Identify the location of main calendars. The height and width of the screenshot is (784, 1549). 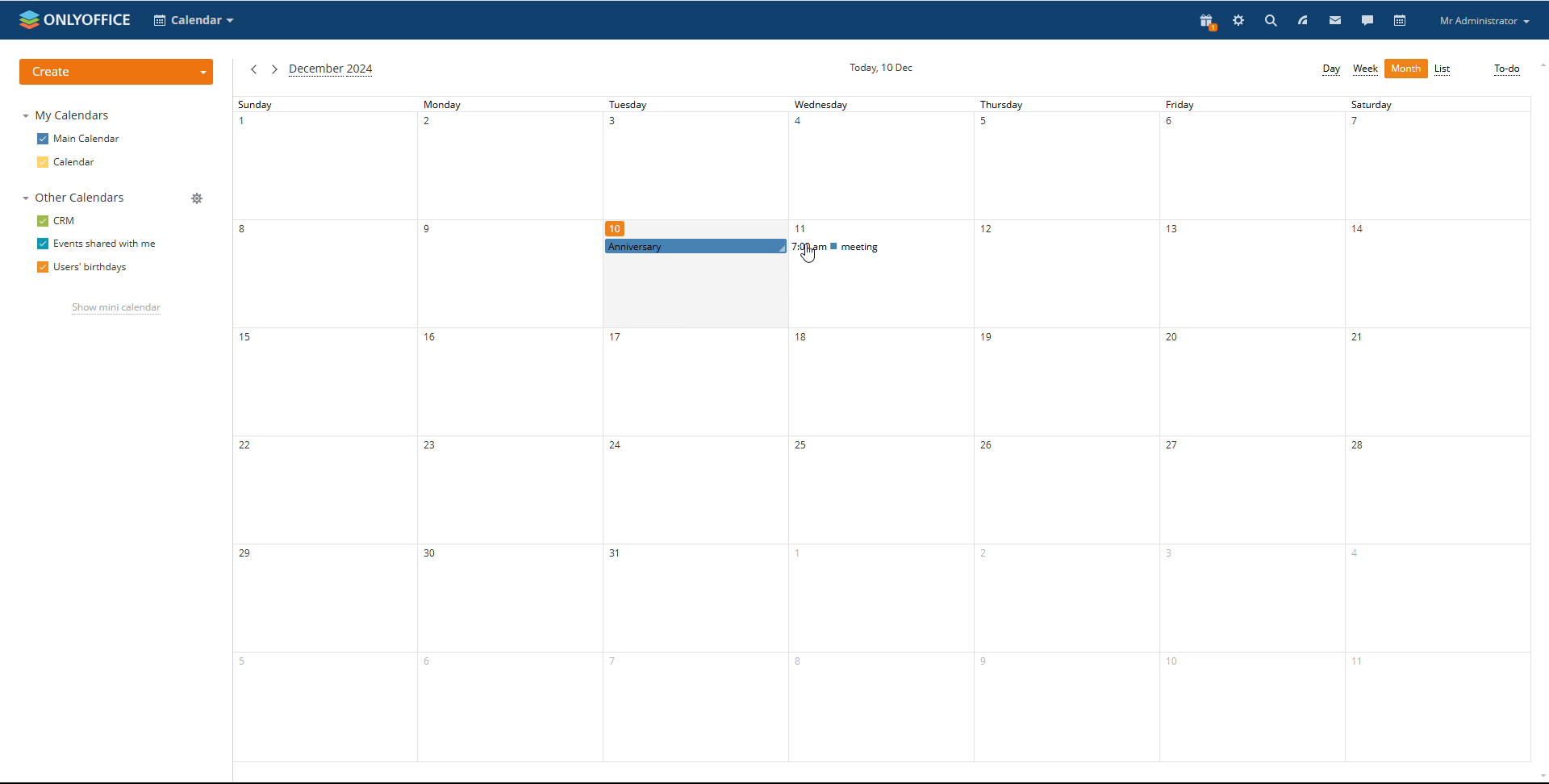
(78, 138).